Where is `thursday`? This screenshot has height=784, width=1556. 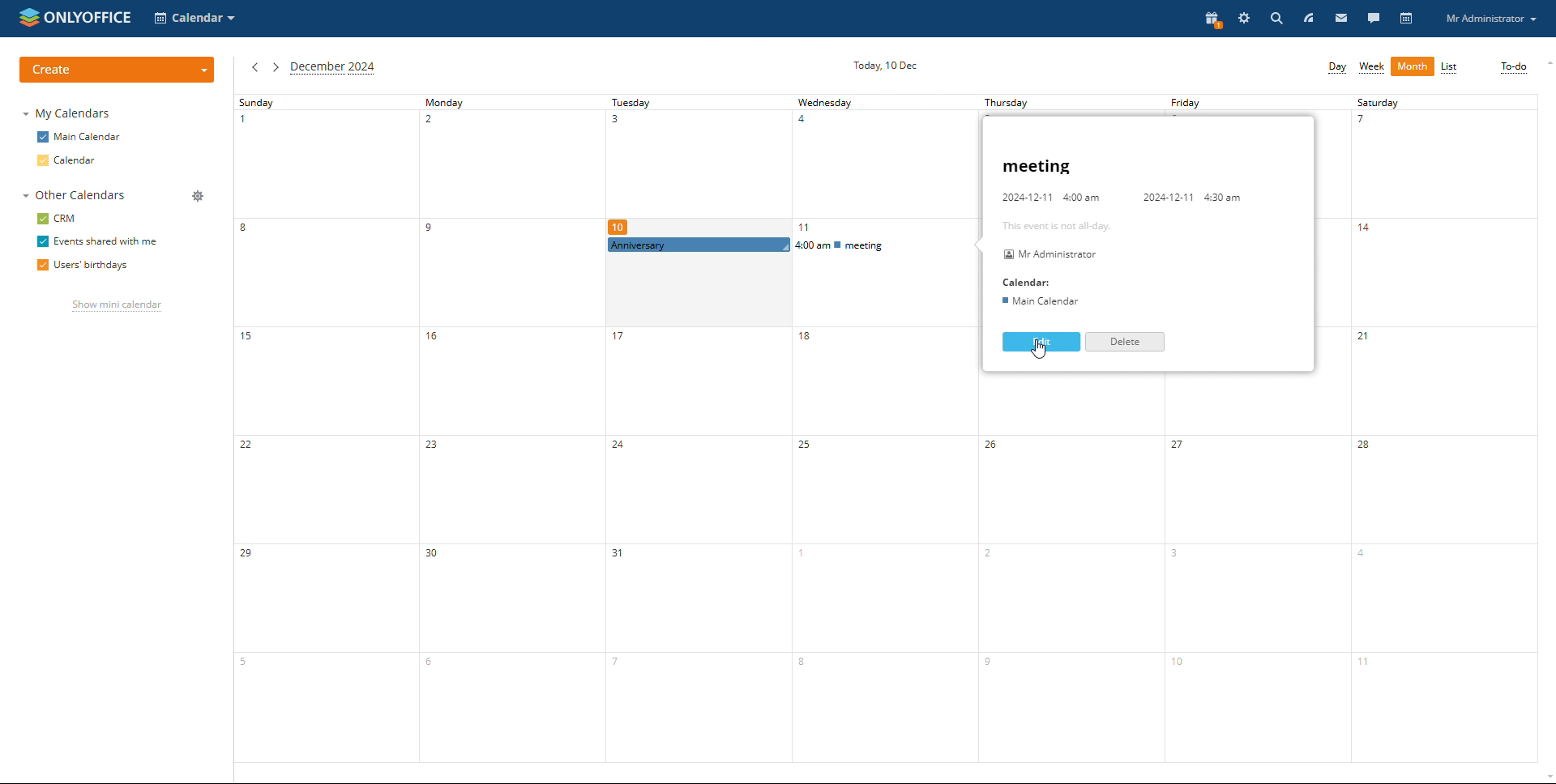 thursday is located at coordinates (1073, 569).